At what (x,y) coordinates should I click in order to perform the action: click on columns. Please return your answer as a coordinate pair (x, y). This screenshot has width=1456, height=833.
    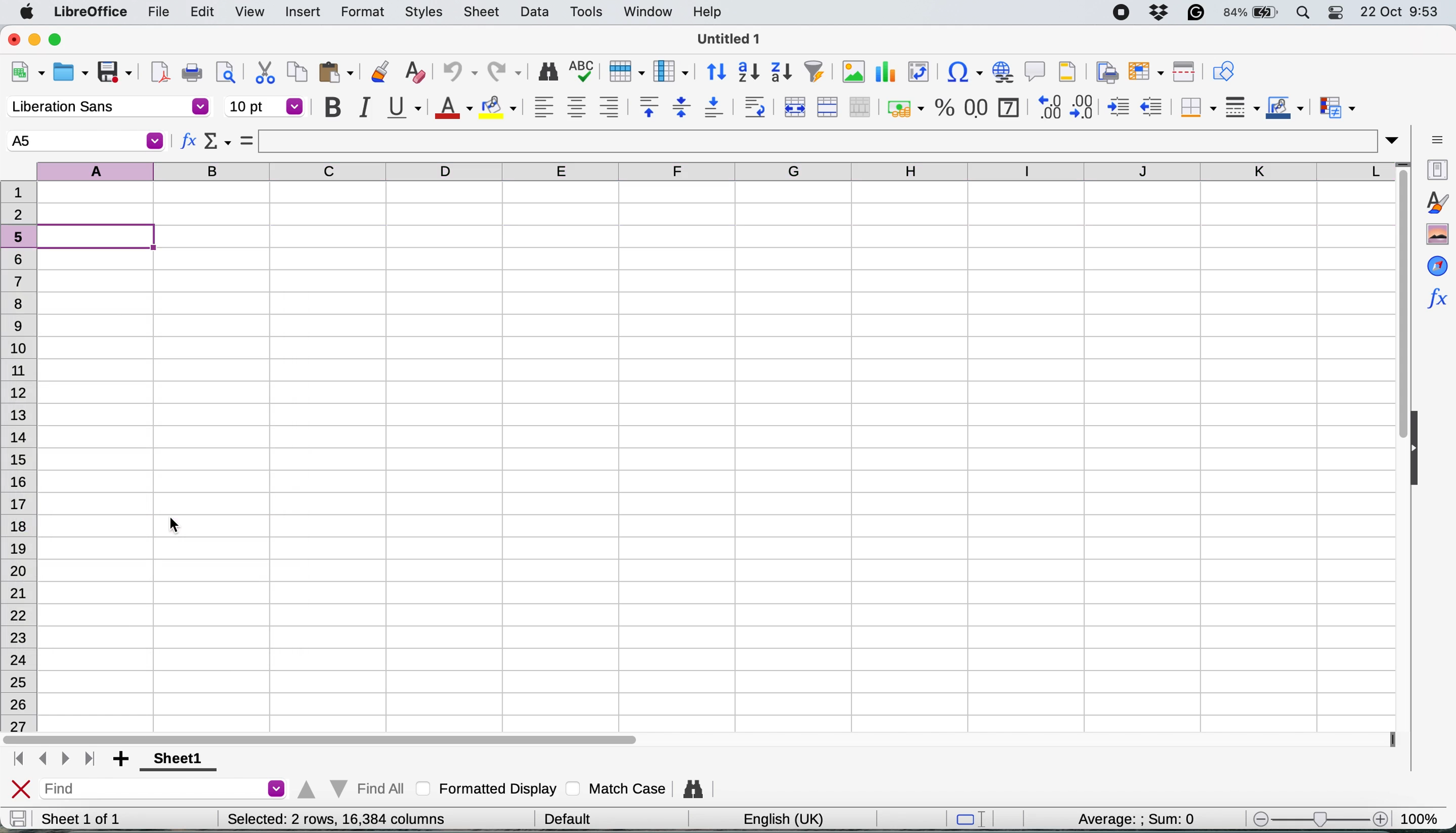
    Looking at the image, I should click on (718, 169).